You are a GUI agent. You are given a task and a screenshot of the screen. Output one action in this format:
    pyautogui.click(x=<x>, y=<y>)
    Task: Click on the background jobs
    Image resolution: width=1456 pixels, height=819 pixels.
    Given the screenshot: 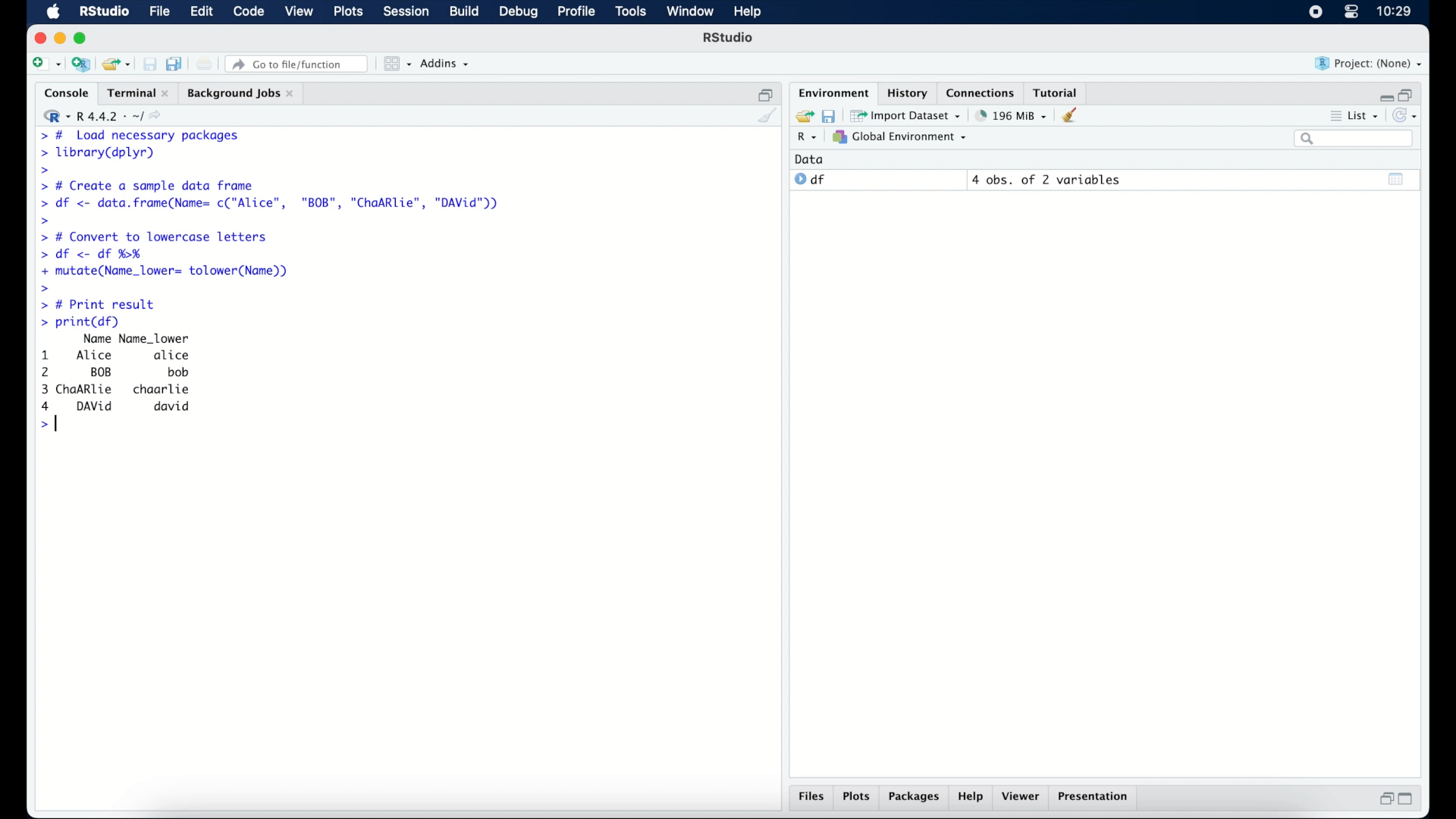 What is the action you would take?
    pyautogui.click(x=240, y=93)
    